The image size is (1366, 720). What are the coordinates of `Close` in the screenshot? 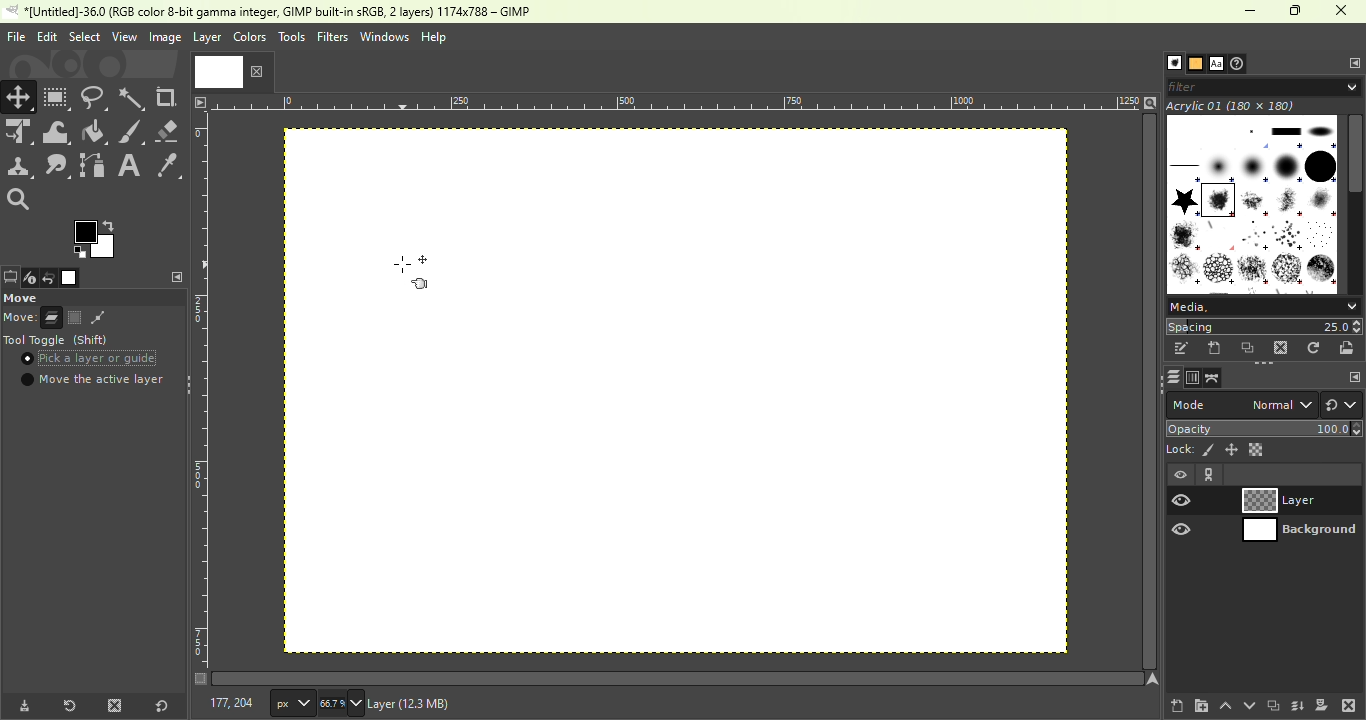 It's located at (1344, 12).